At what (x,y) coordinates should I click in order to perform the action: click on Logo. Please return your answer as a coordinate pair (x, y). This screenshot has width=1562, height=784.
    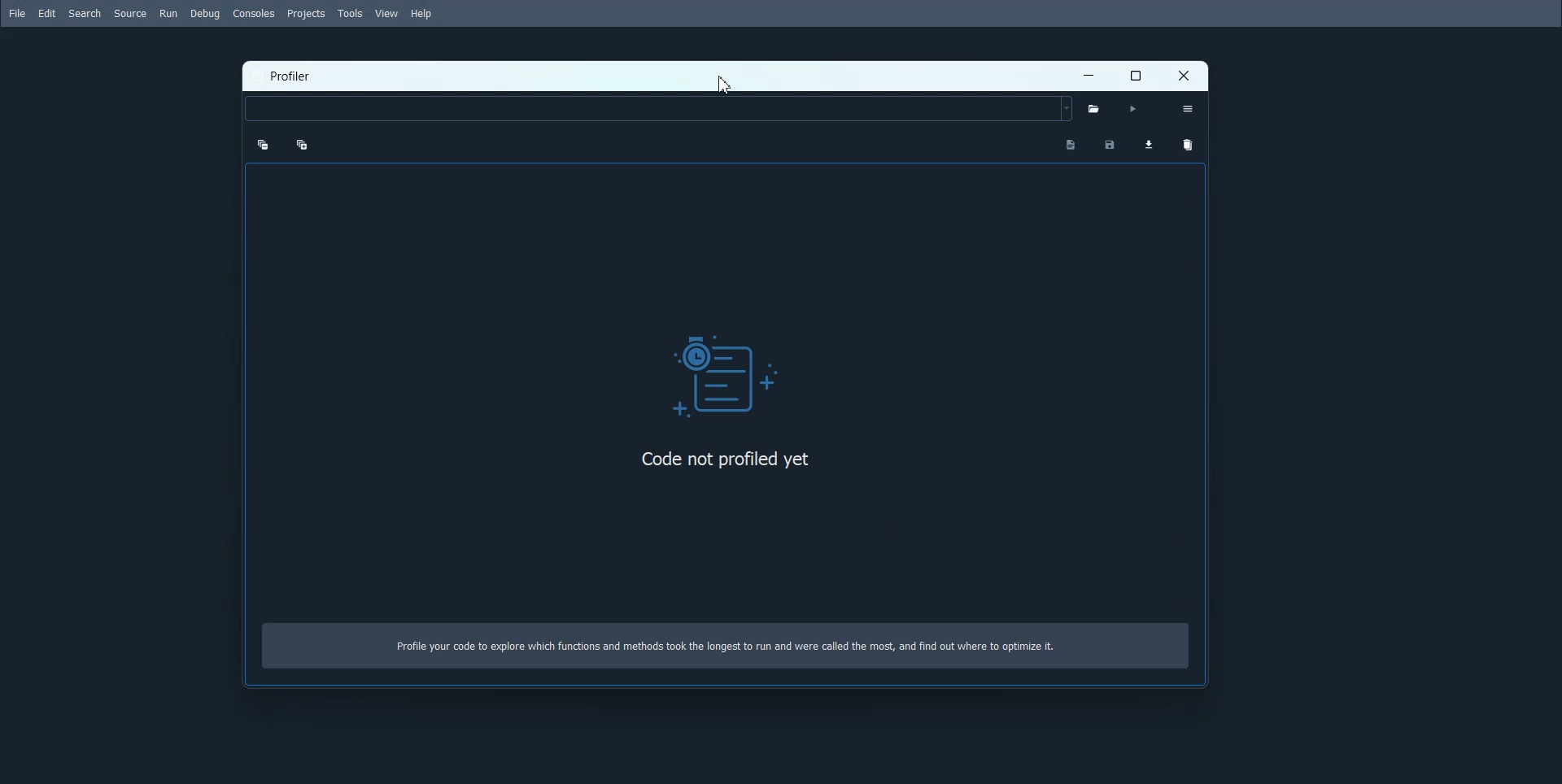
    Looking at the image, I should click on (730, 370).